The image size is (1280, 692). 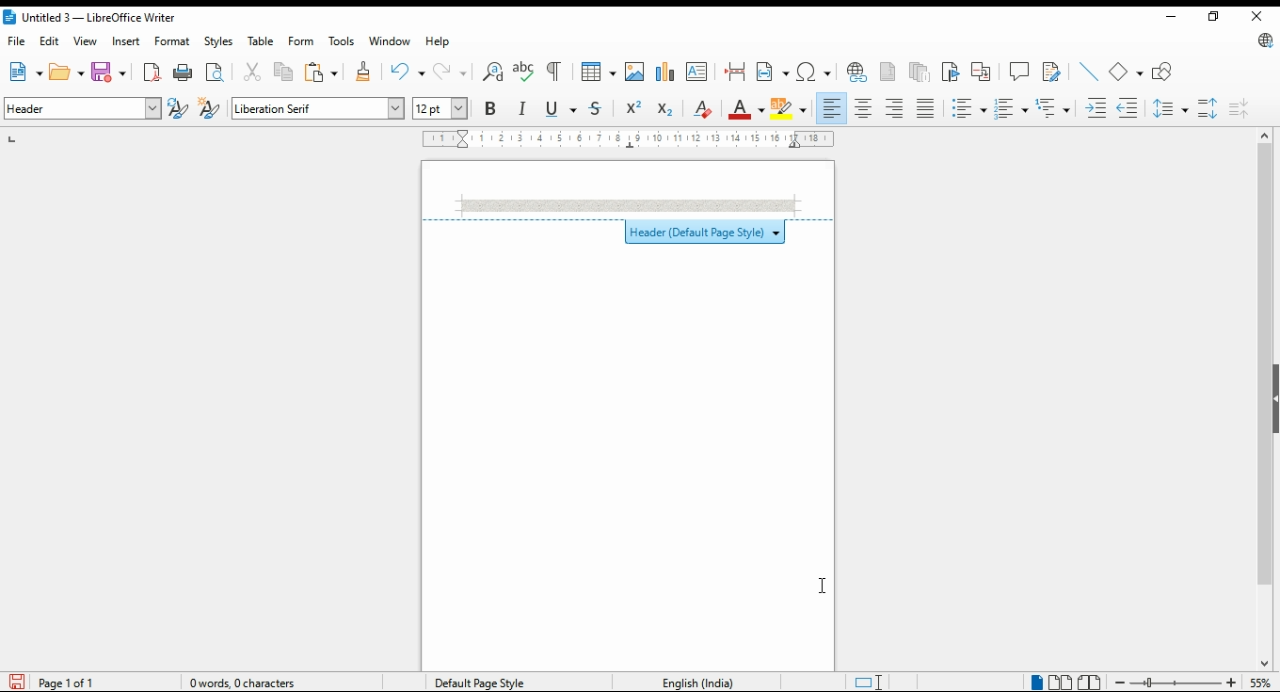 I want to click on align right, so click(x=895, y=108).